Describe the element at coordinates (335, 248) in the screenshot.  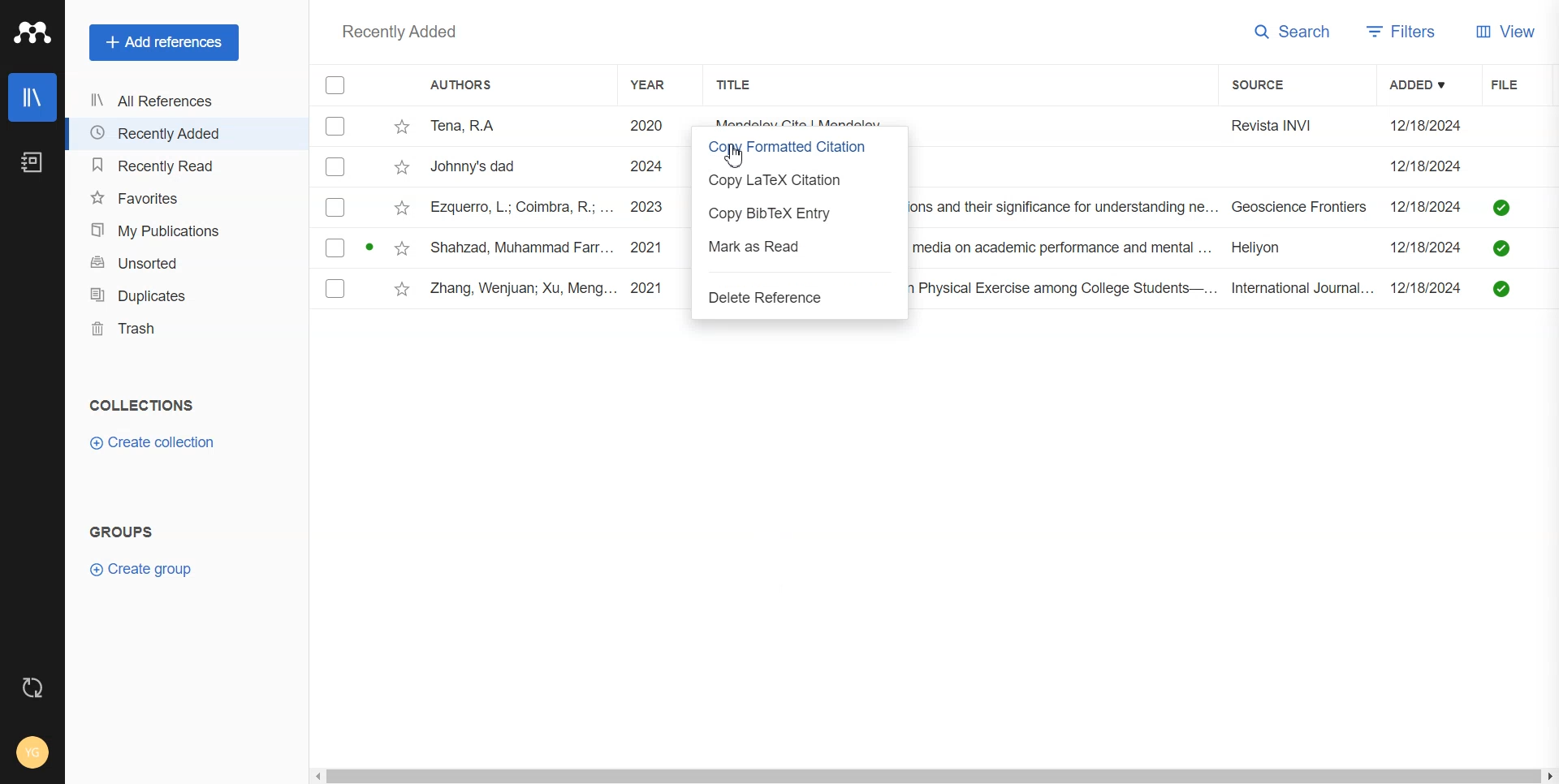
I see `Checkbox` at that location.